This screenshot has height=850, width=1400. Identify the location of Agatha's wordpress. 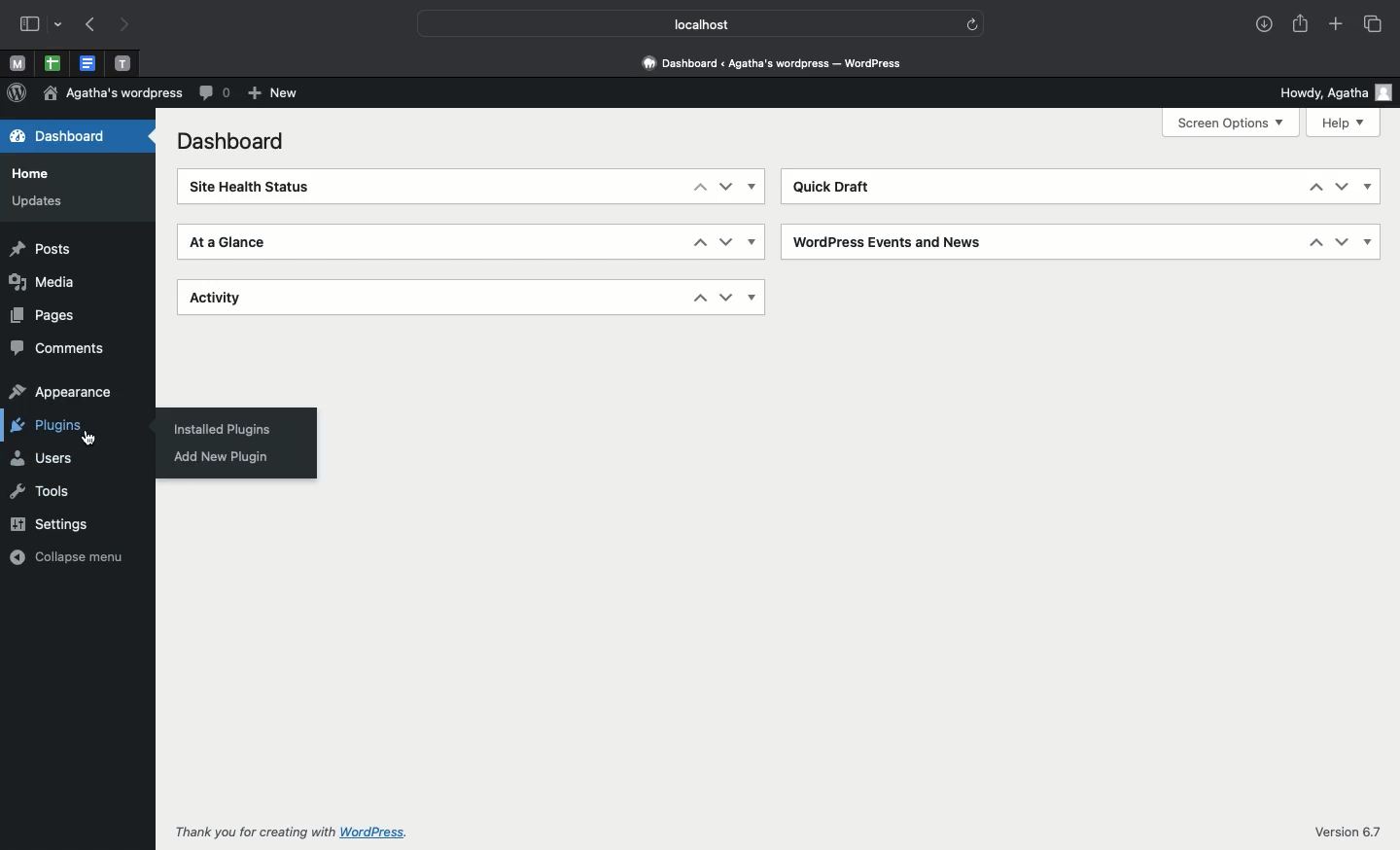
(115, 96).